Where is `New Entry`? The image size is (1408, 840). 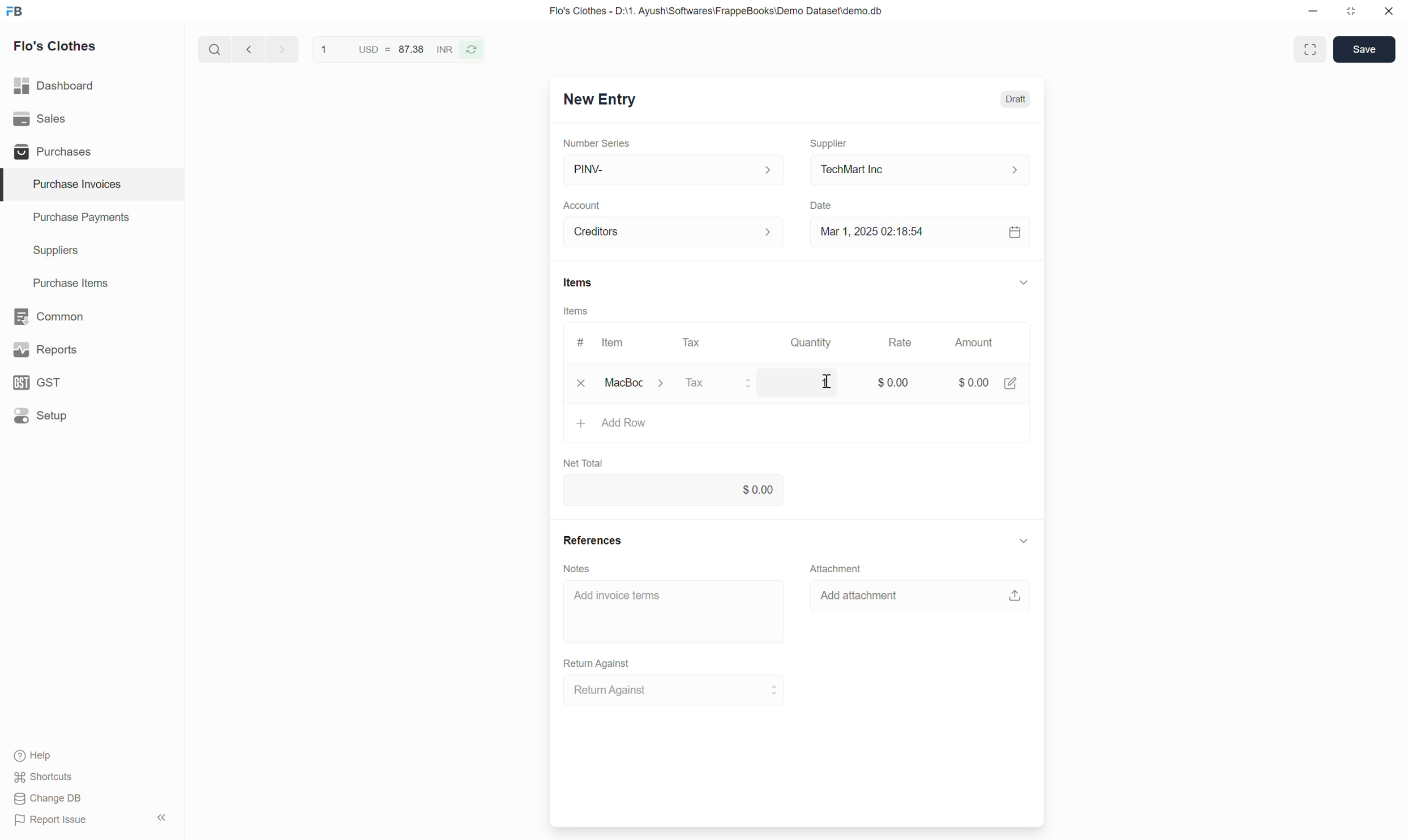 New Entry is located at coordinates (601, 100).